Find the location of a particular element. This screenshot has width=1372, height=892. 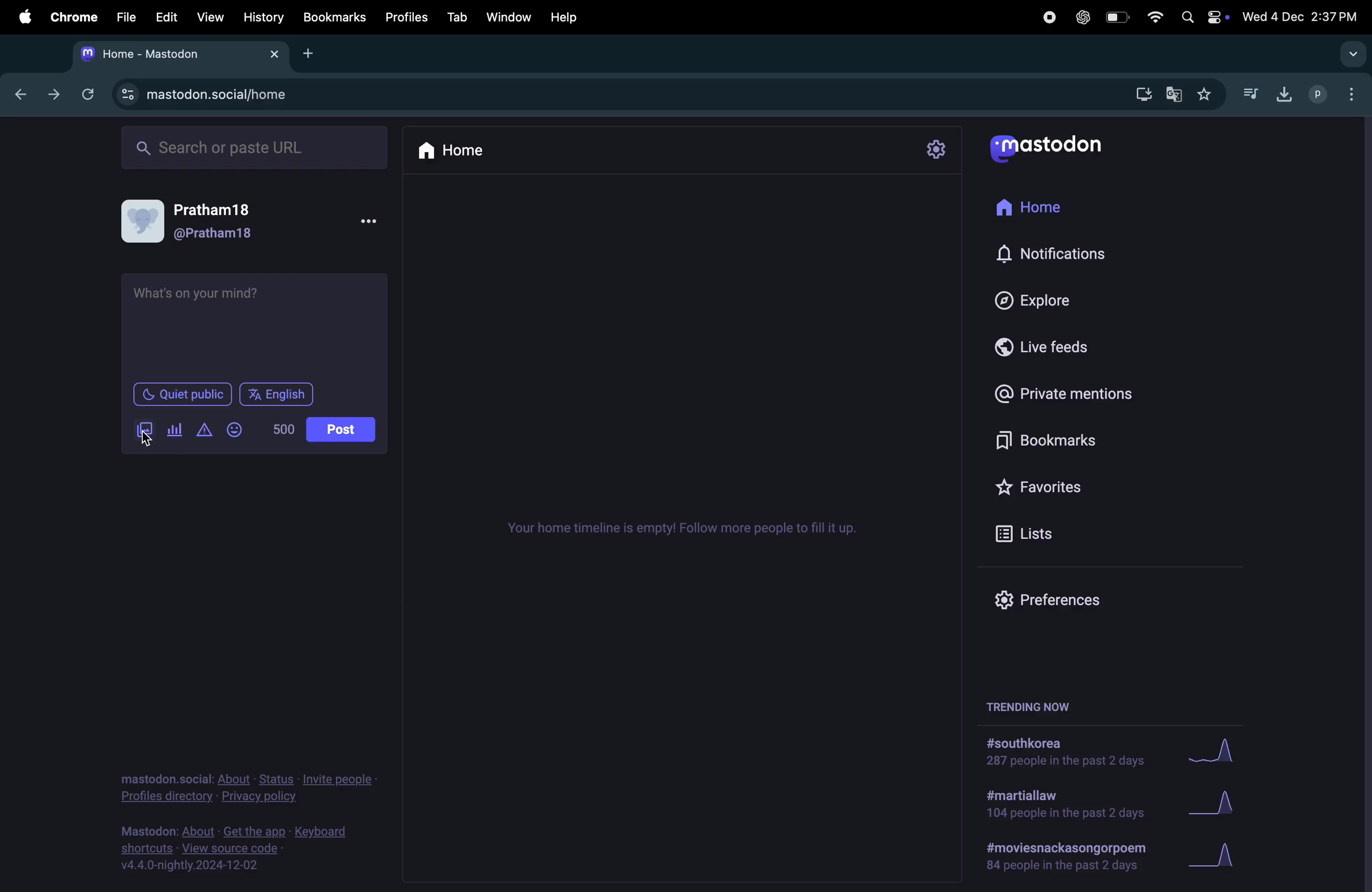

view source code is located at coordinates (240, 848).